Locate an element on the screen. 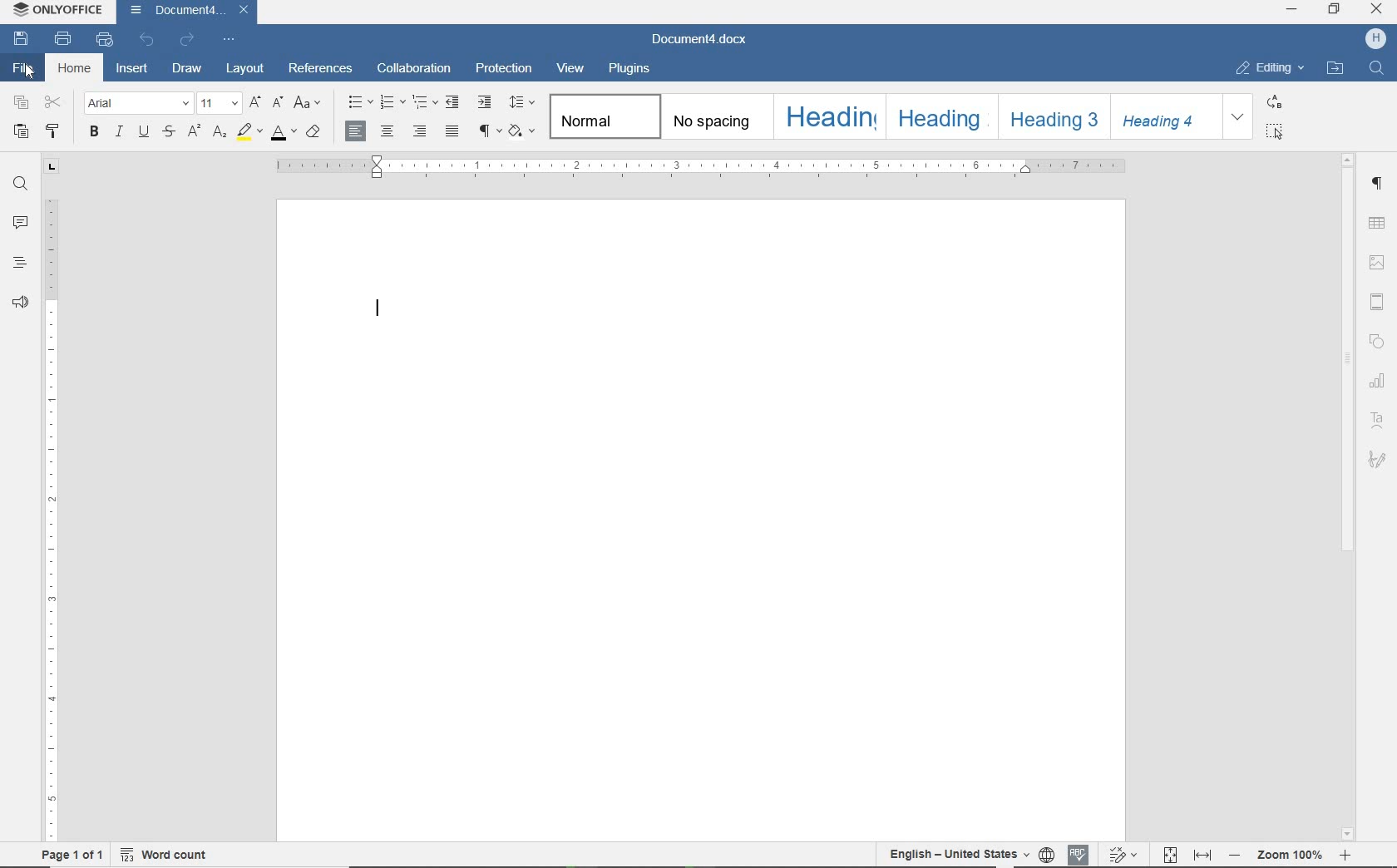 This screenshot has height=868, width=1397. align right is located at coordinates (420, 131).